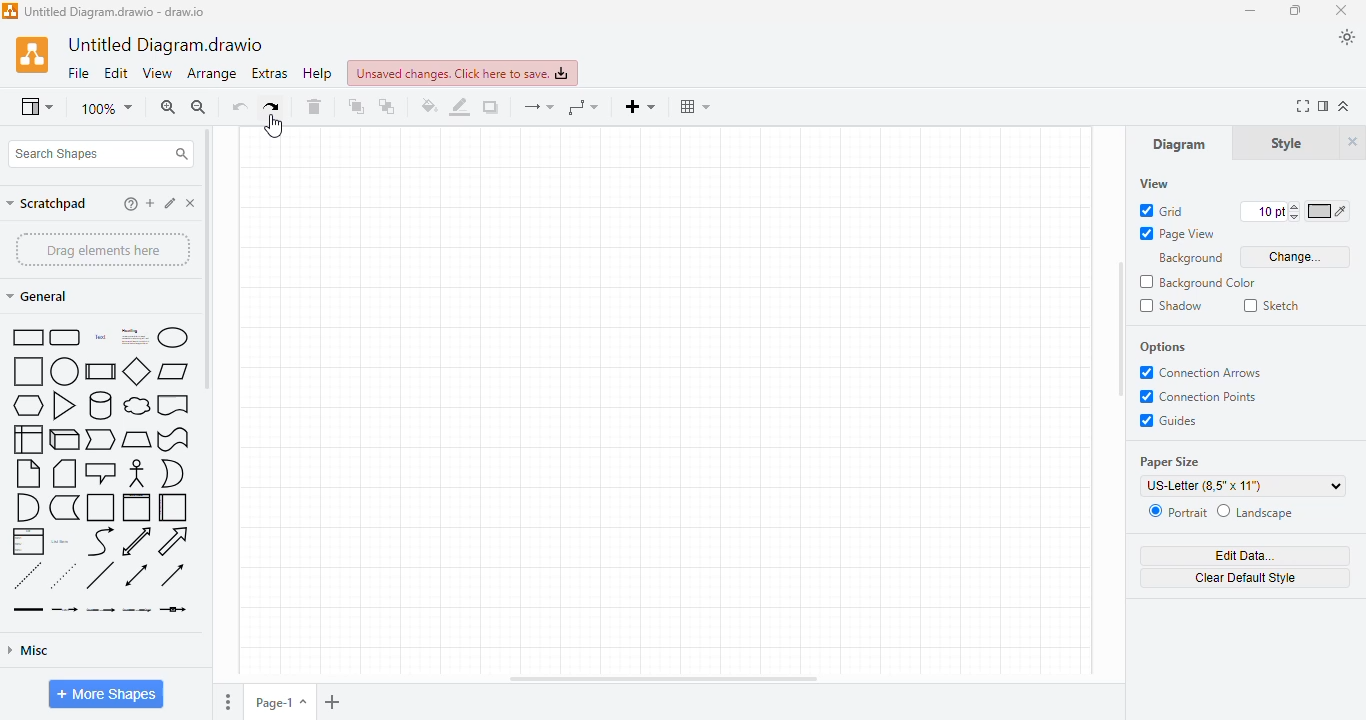 The width and height of the screenshot is (1366, 720). Describe the element at coordinates (27, 336) in the screenshot. I see `rectangle` at that location.